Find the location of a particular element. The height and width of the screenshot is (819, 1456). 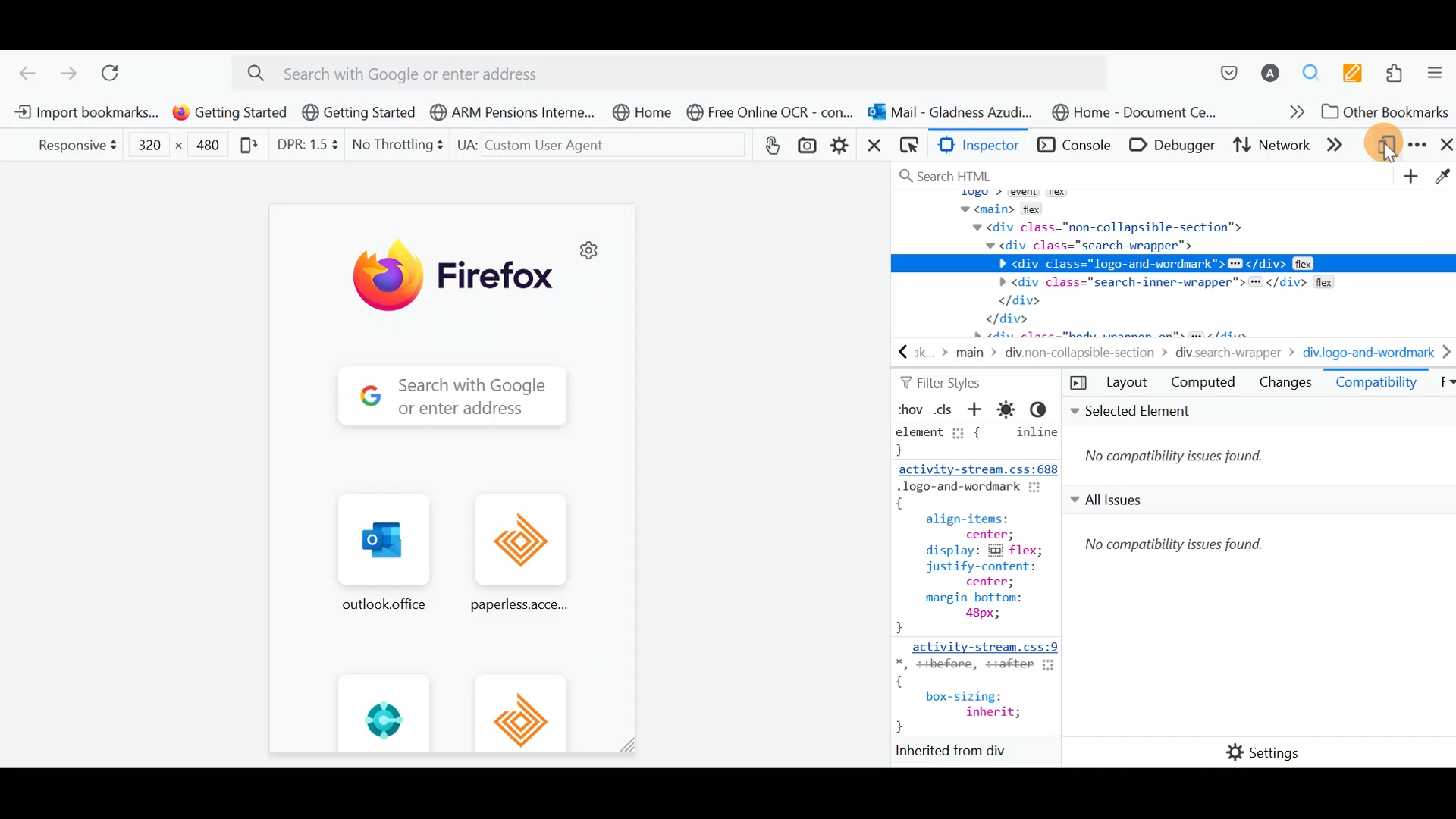

Toggle dark colour scheme simulation for the page is located at coordinates (1044, 409).